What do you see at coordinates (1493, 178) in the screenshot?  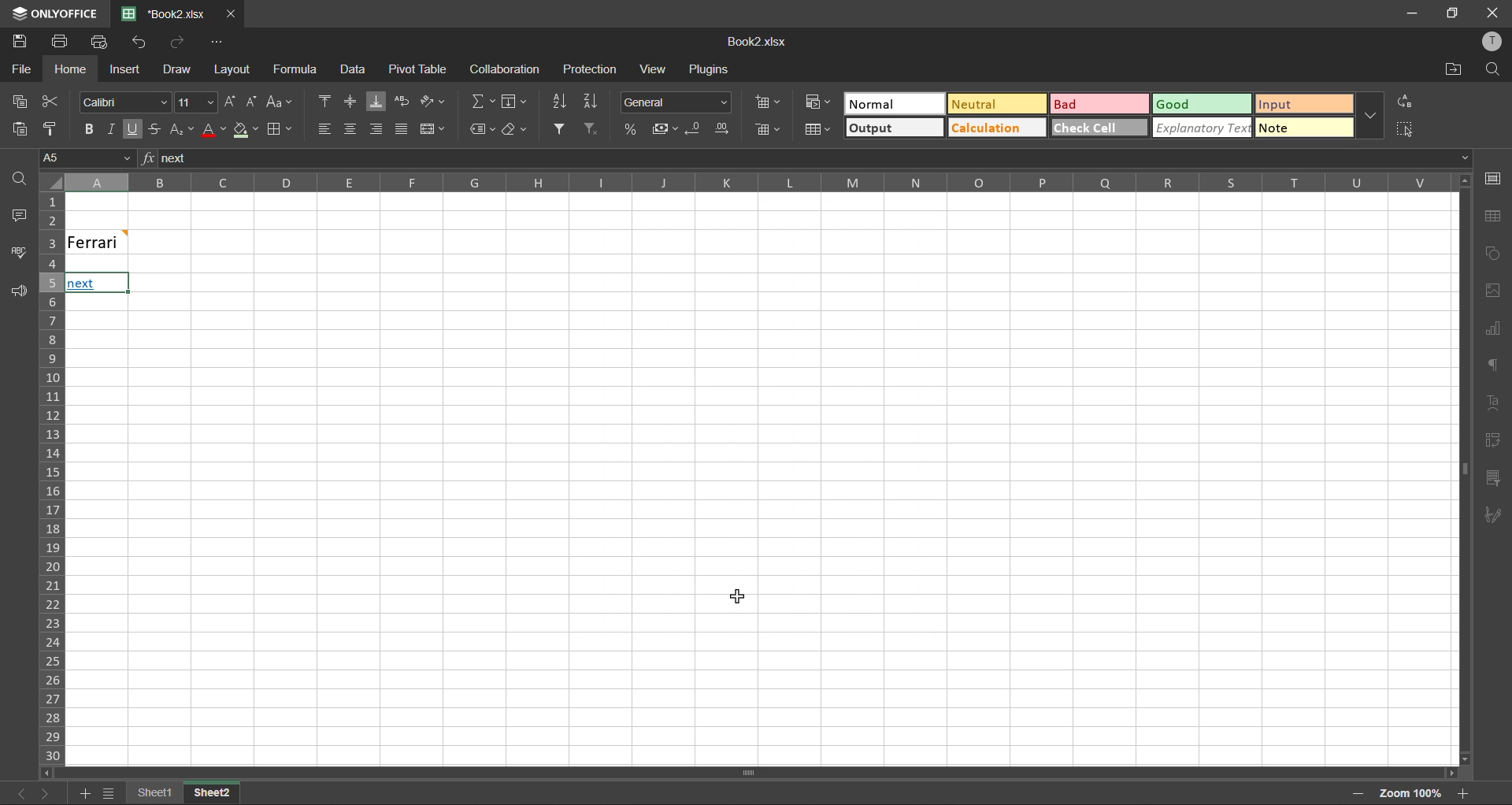 I see `cell settings` at bounding box center [1493, 178].